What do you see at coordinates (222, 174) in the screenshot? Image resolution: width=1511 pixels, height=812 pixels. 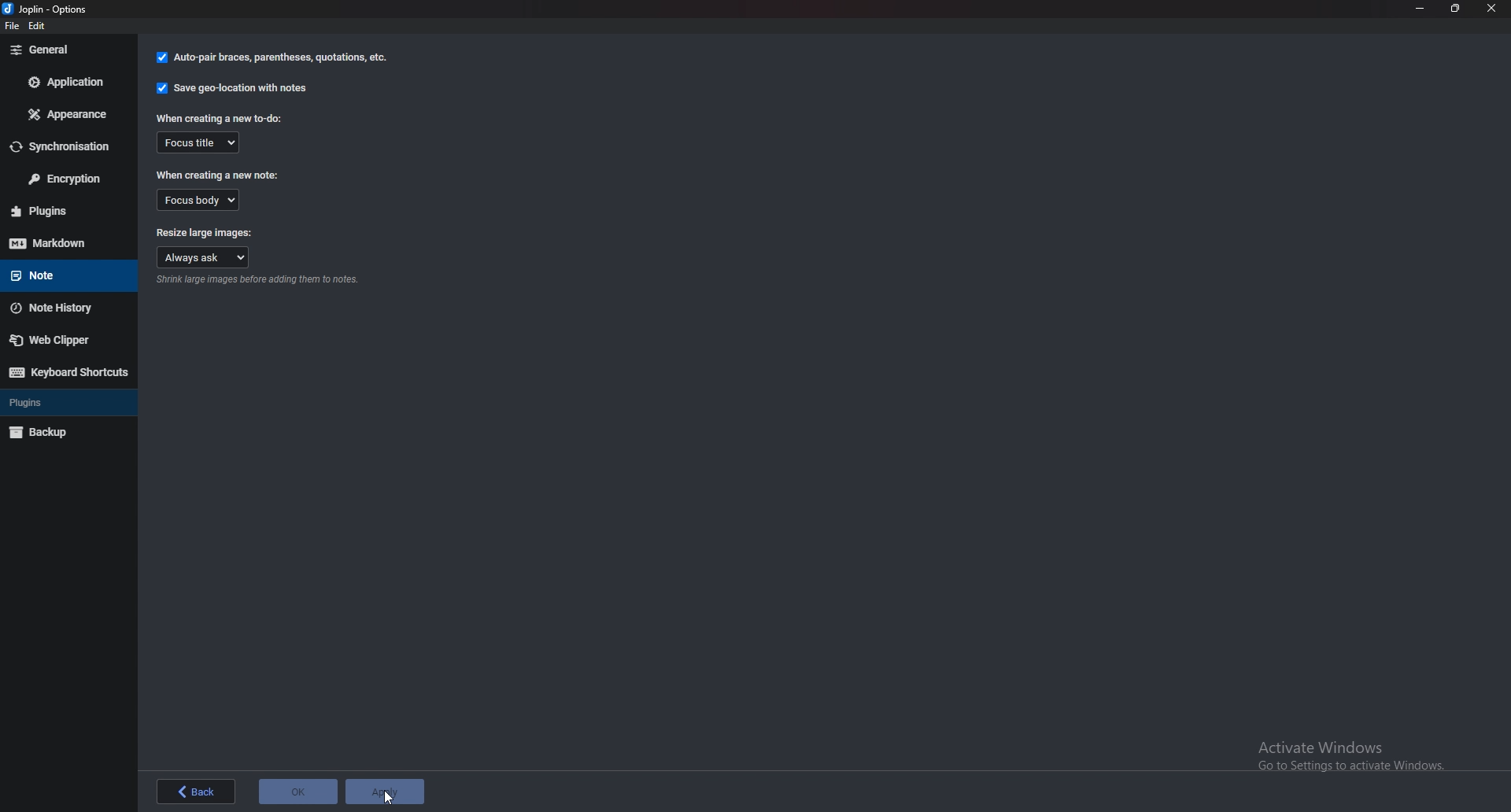 I see `When creating a new note` at bounding box center [222, 174].